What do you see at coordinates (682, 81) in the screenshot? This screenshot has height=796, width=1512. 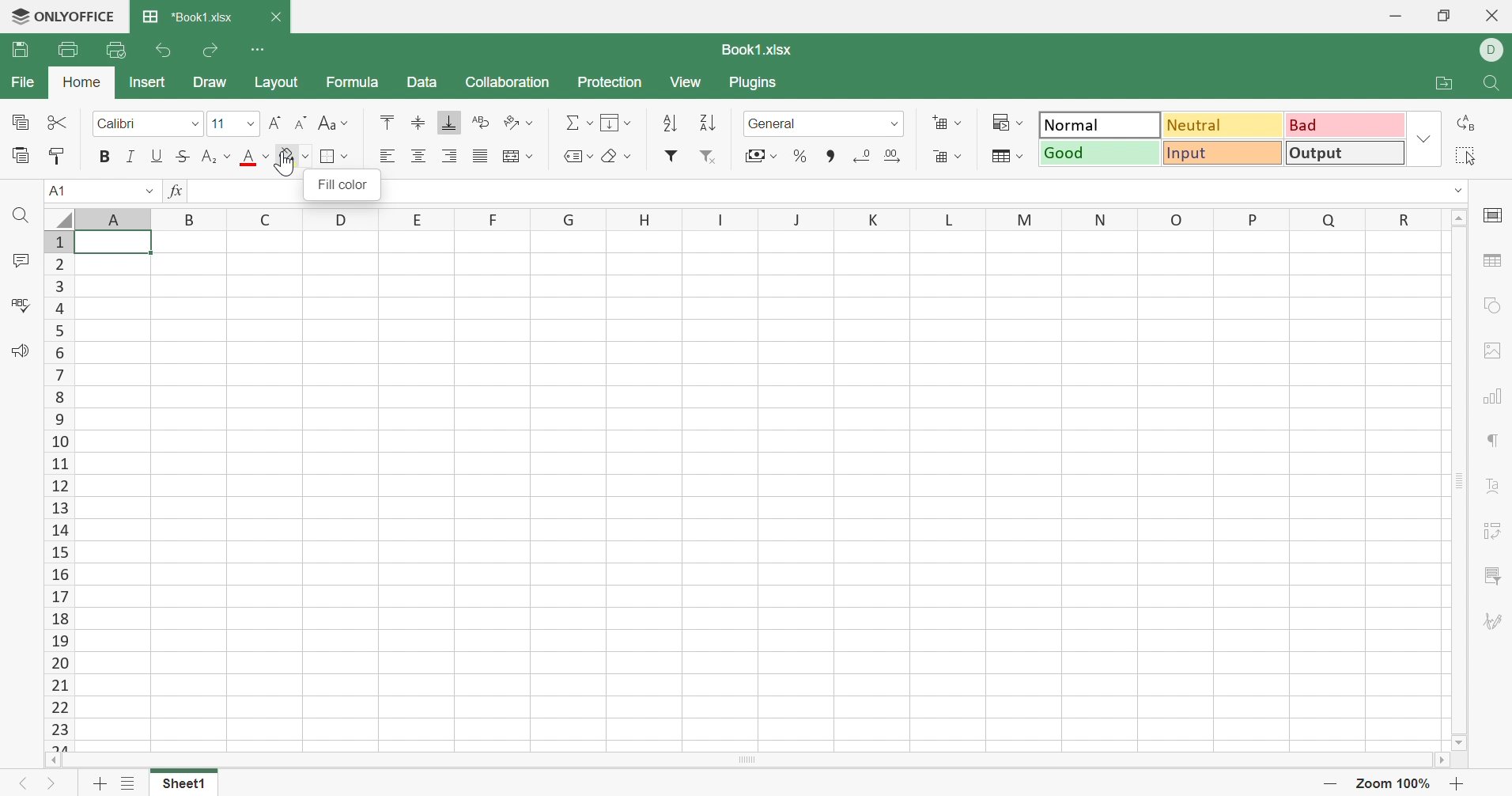 I see `View` at bounding box center [682, 81].